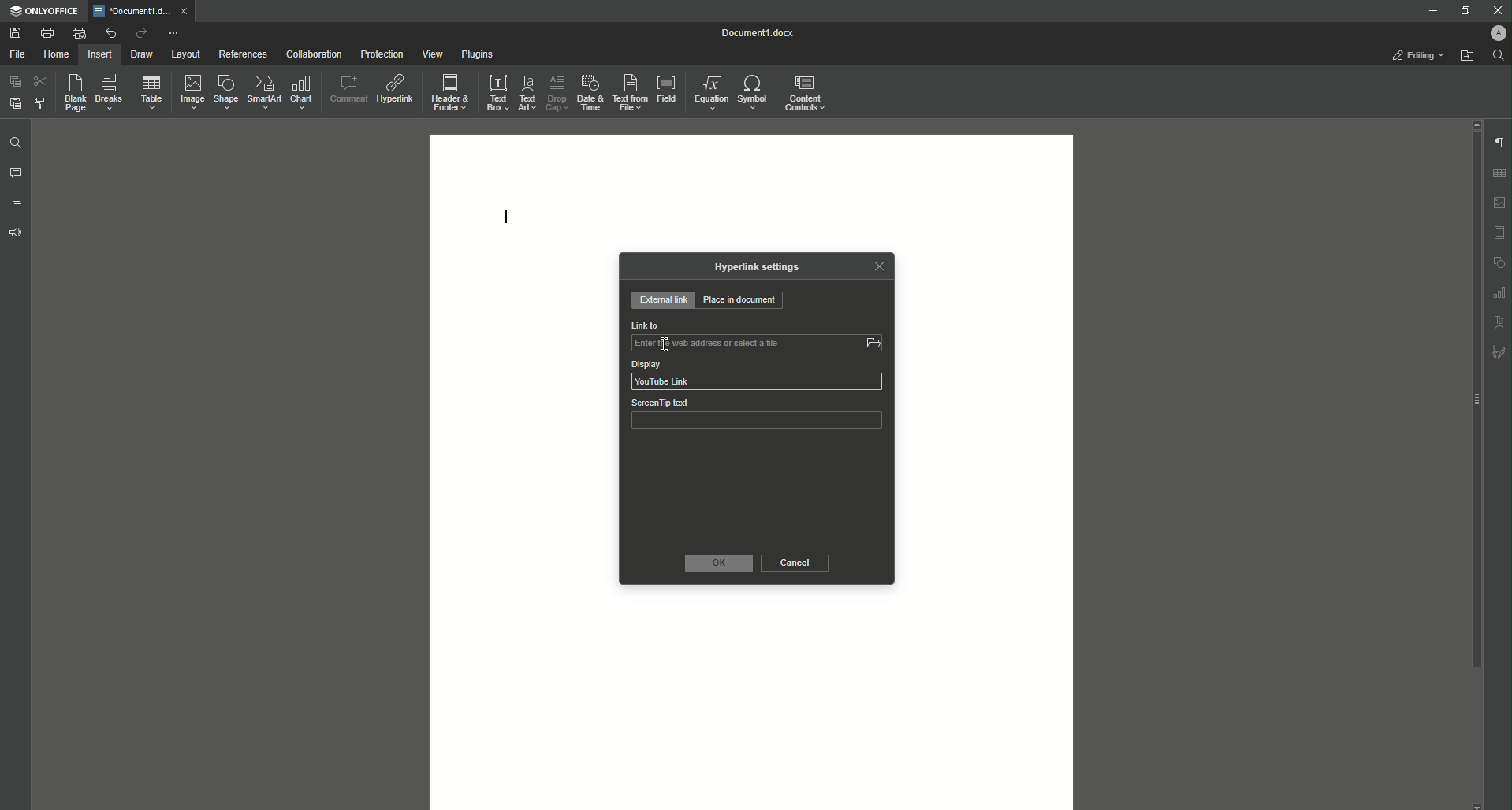 The width and height of the screenshot is (1512, 810). What do you see at coordinates (396, 91) in the screenshot?
I see `Hyperlink` at bounding box center [396, 91].